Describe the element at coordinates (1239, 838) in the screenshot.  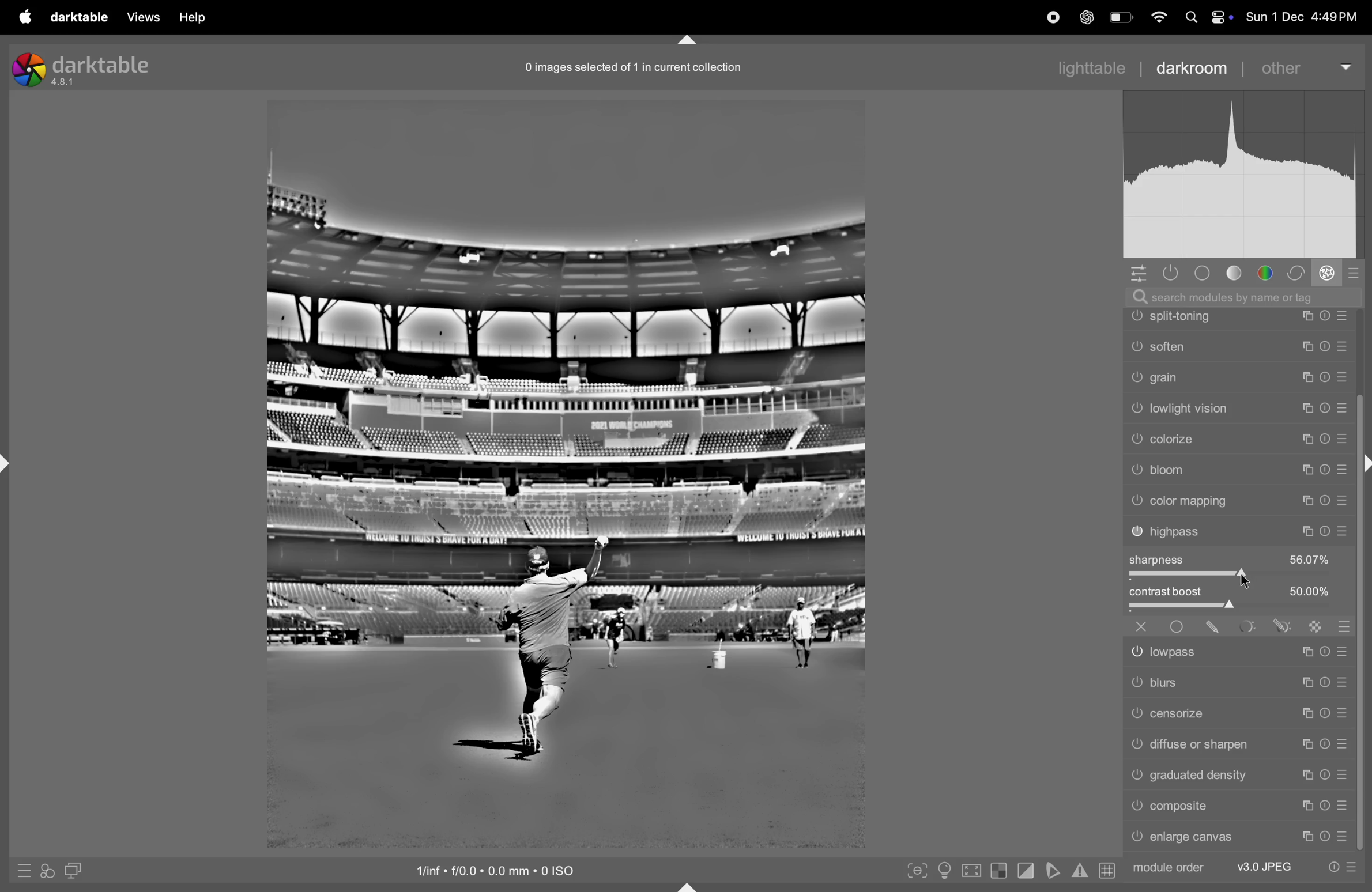
I see `enlarge canvas` at that location.